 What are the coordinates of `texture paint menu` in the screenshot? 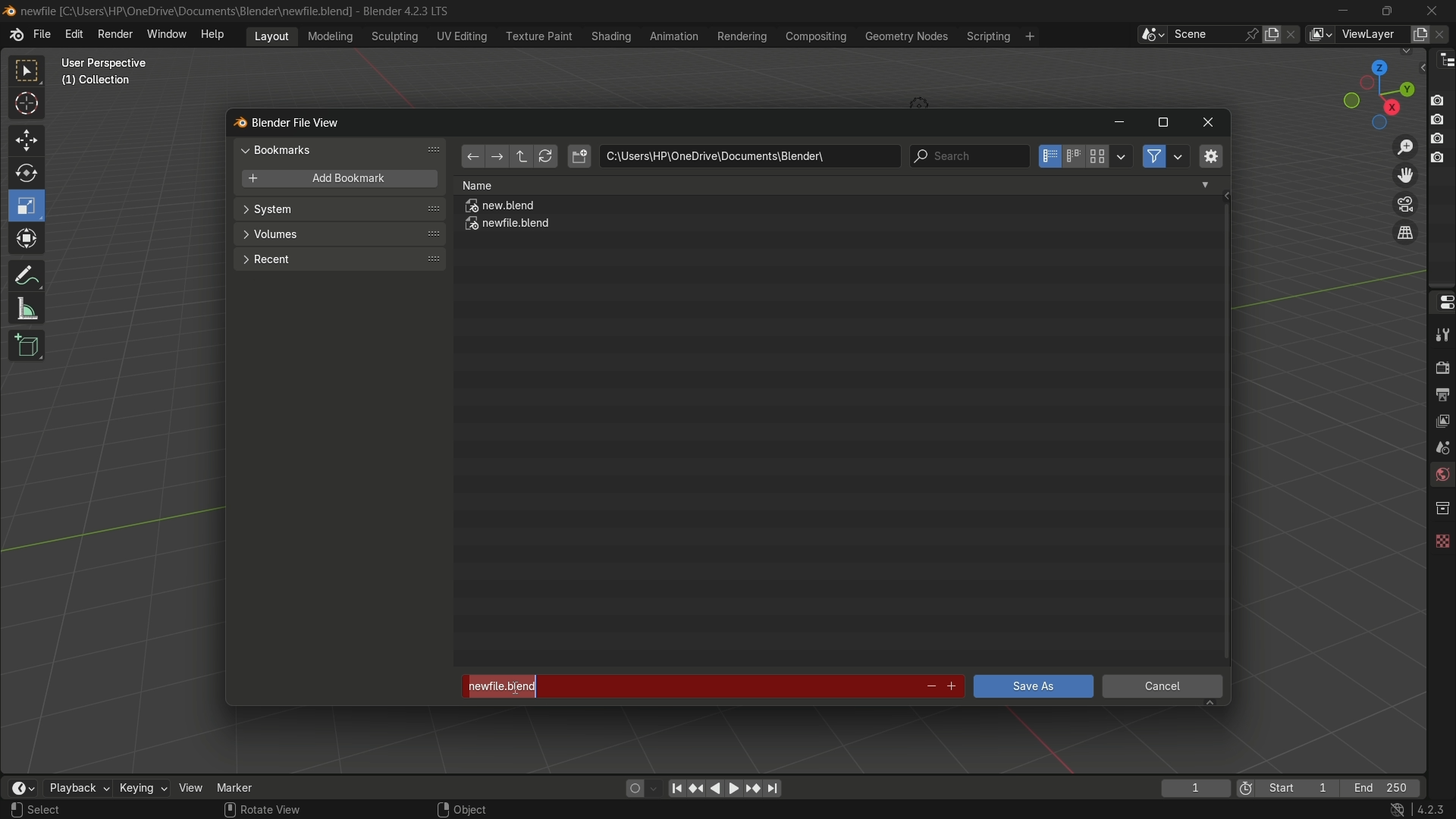 It's located at (538, 35).